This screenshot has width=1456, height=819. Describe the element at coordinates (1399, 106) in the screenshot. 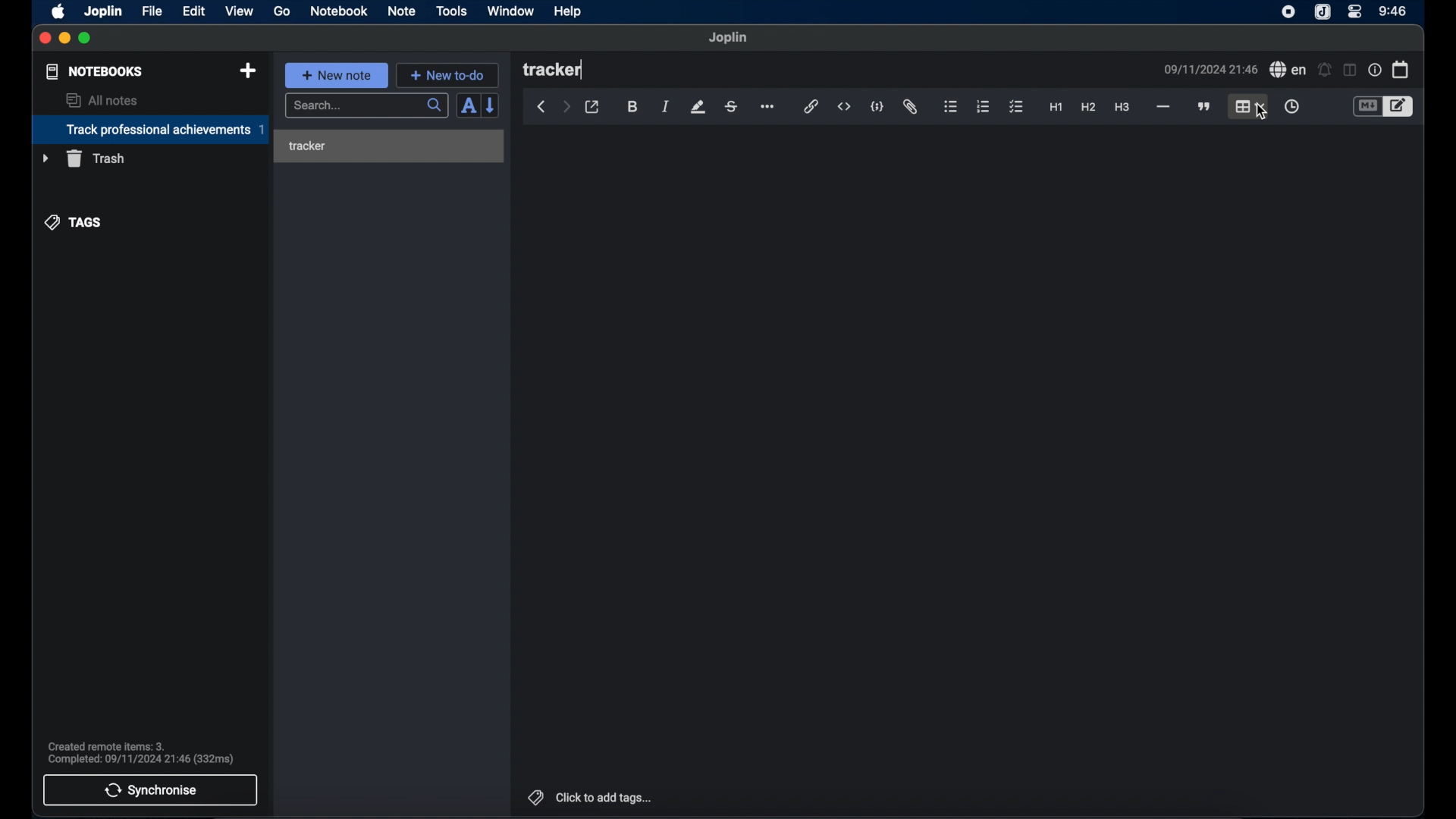

I see `toggle editor` at that location.